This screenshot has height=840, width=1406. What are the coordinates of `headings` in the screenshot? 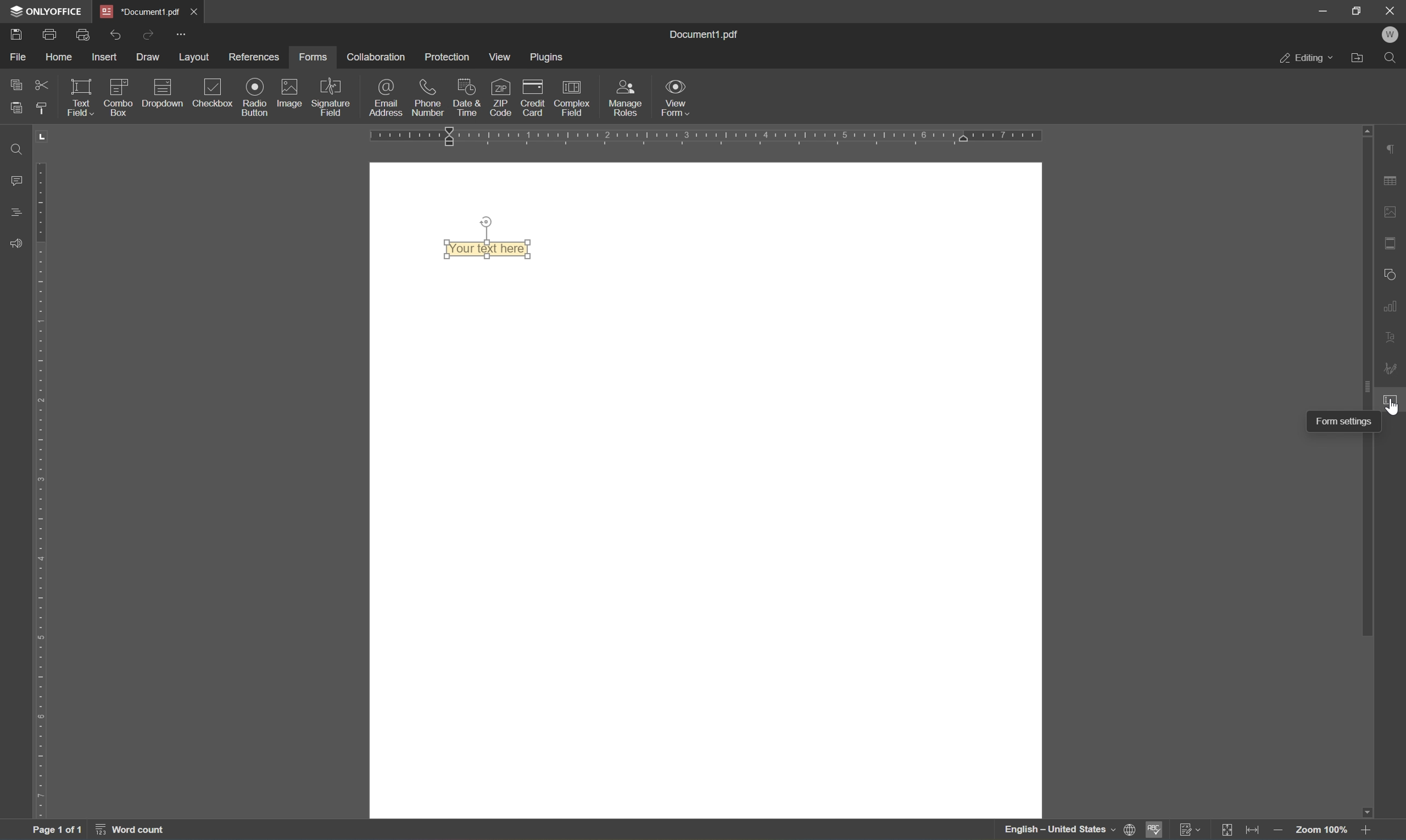 It's located at (19, 213).